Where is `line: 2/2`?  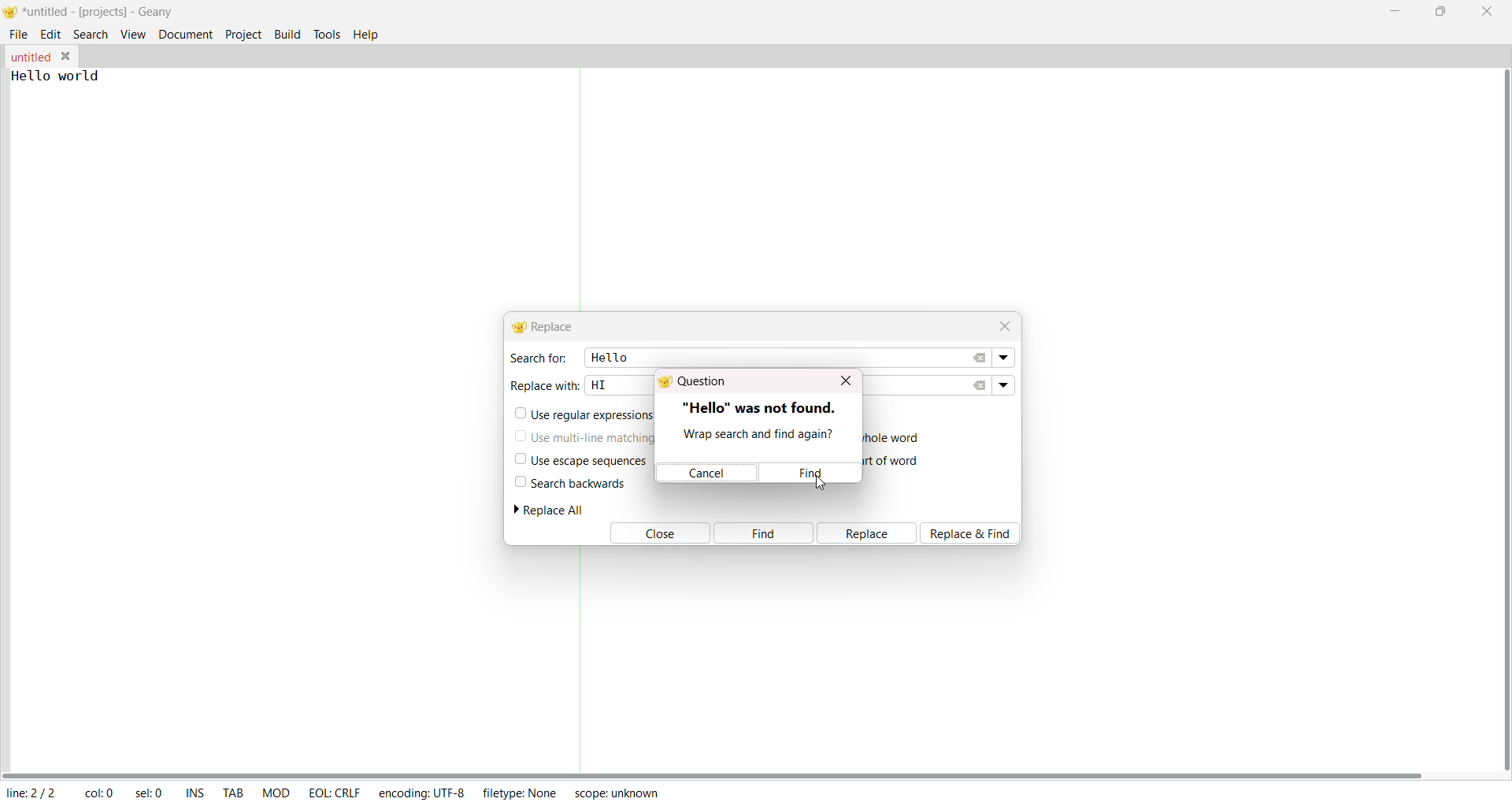 line: 2/2 is located at coordinates (30, 793).